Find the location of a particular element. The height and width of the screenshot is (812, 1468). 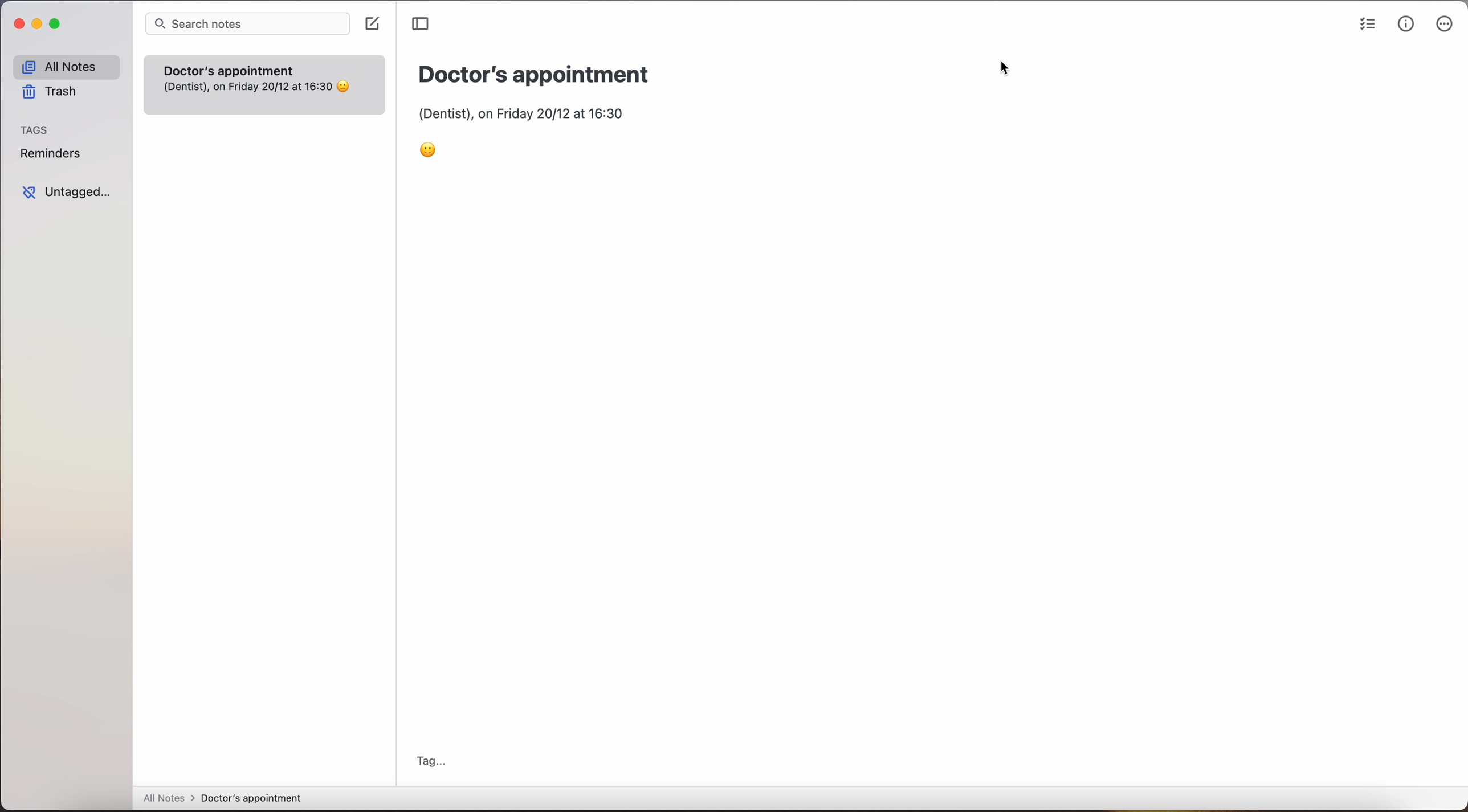

emoji smile is located at coordinates (433, 150).